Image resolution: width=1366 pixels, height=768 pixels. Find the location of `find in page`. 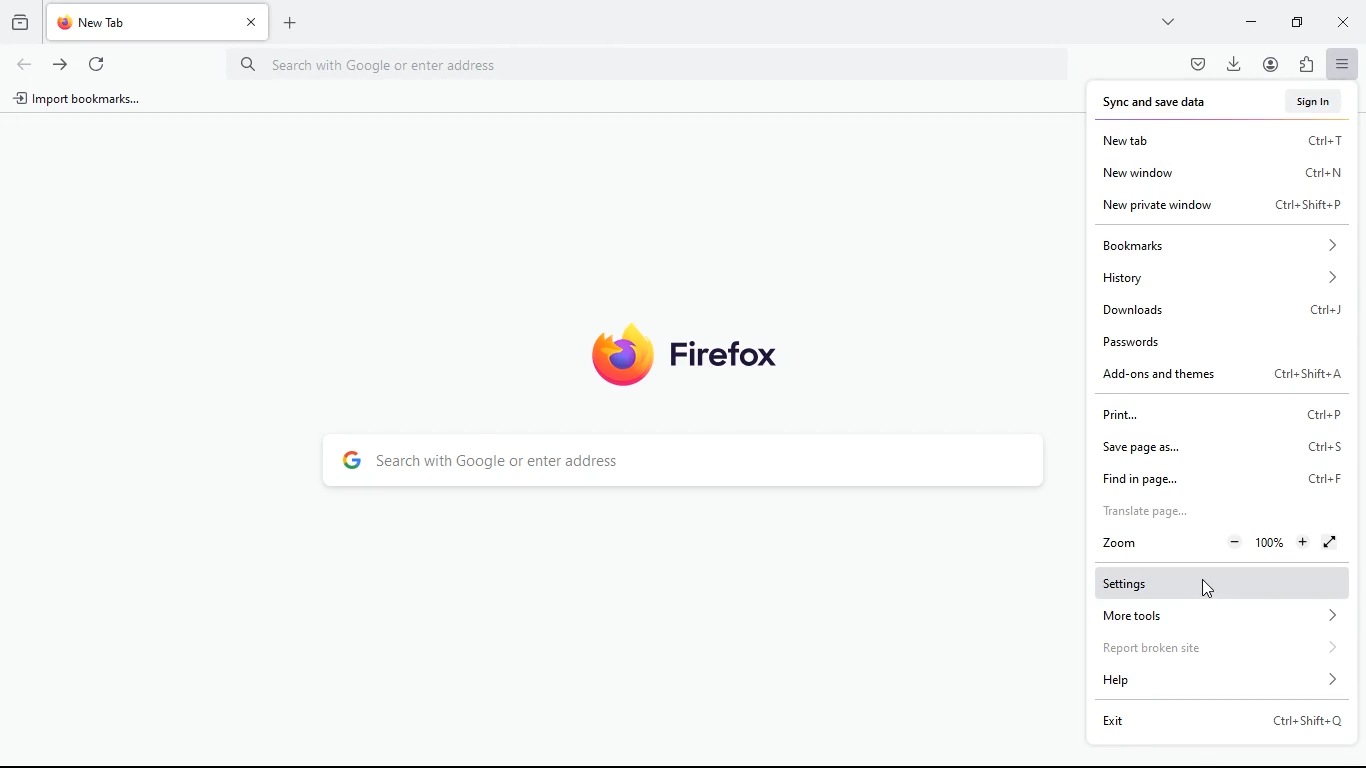

find in page is located at coordinates (1222, 478).